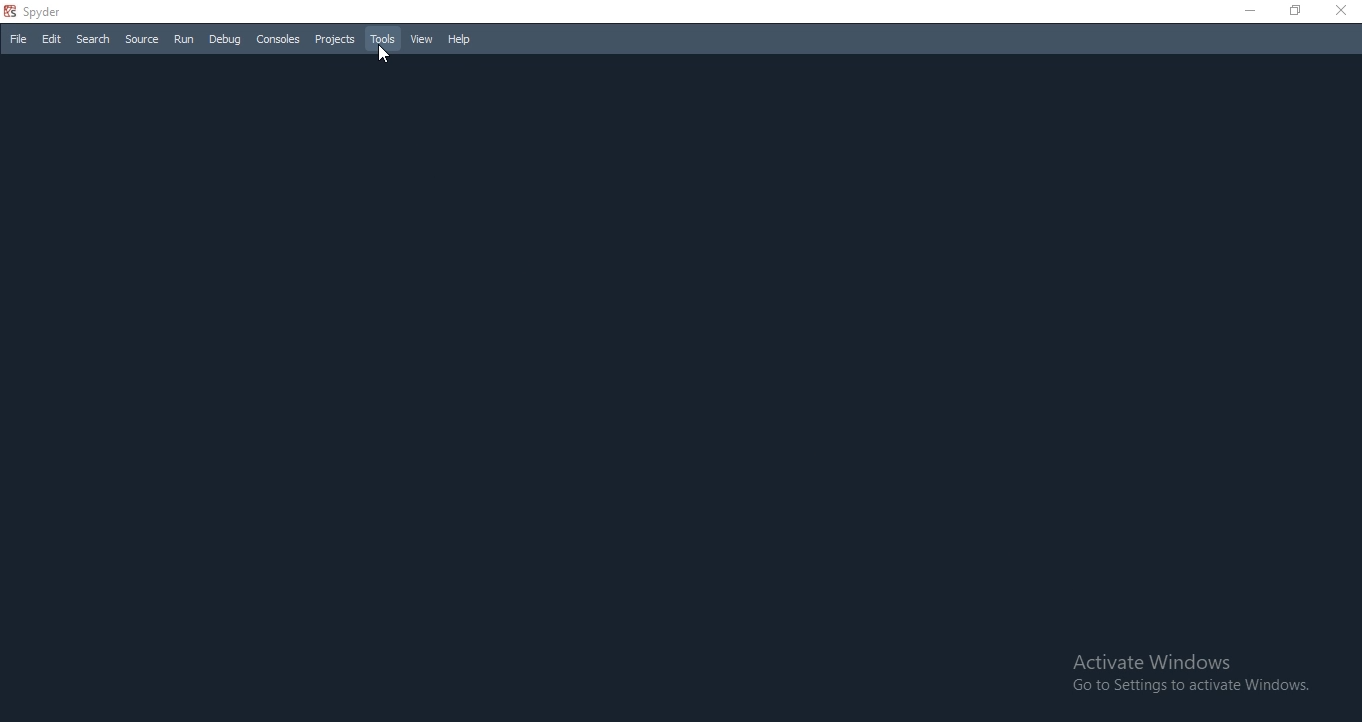  I want to click on Activate Windows
Go to Settings to activate Windows, so click(1188, 673).